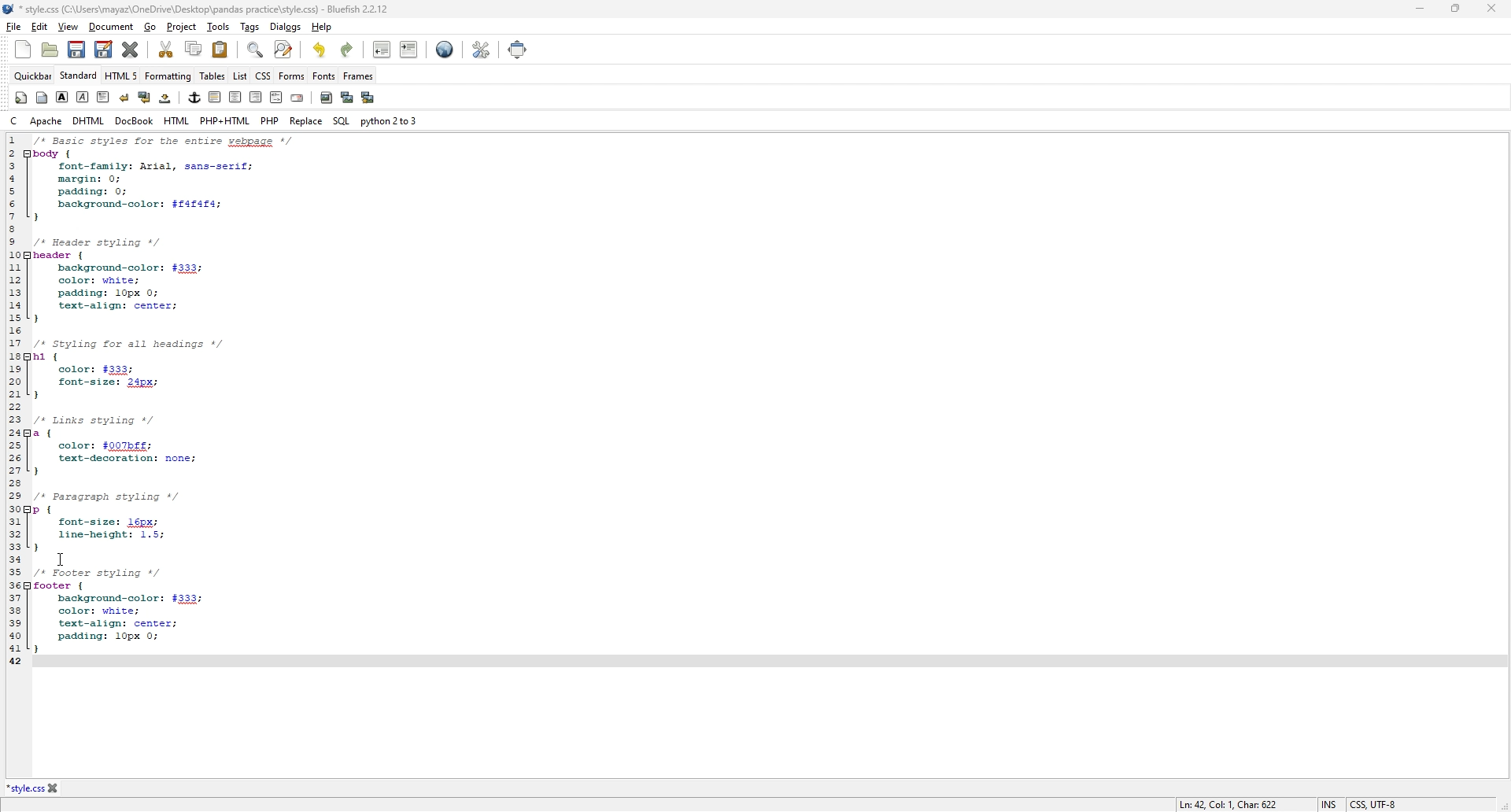 This screenshot has height=812, width=1511. I want to click on file, so click(13, 26).